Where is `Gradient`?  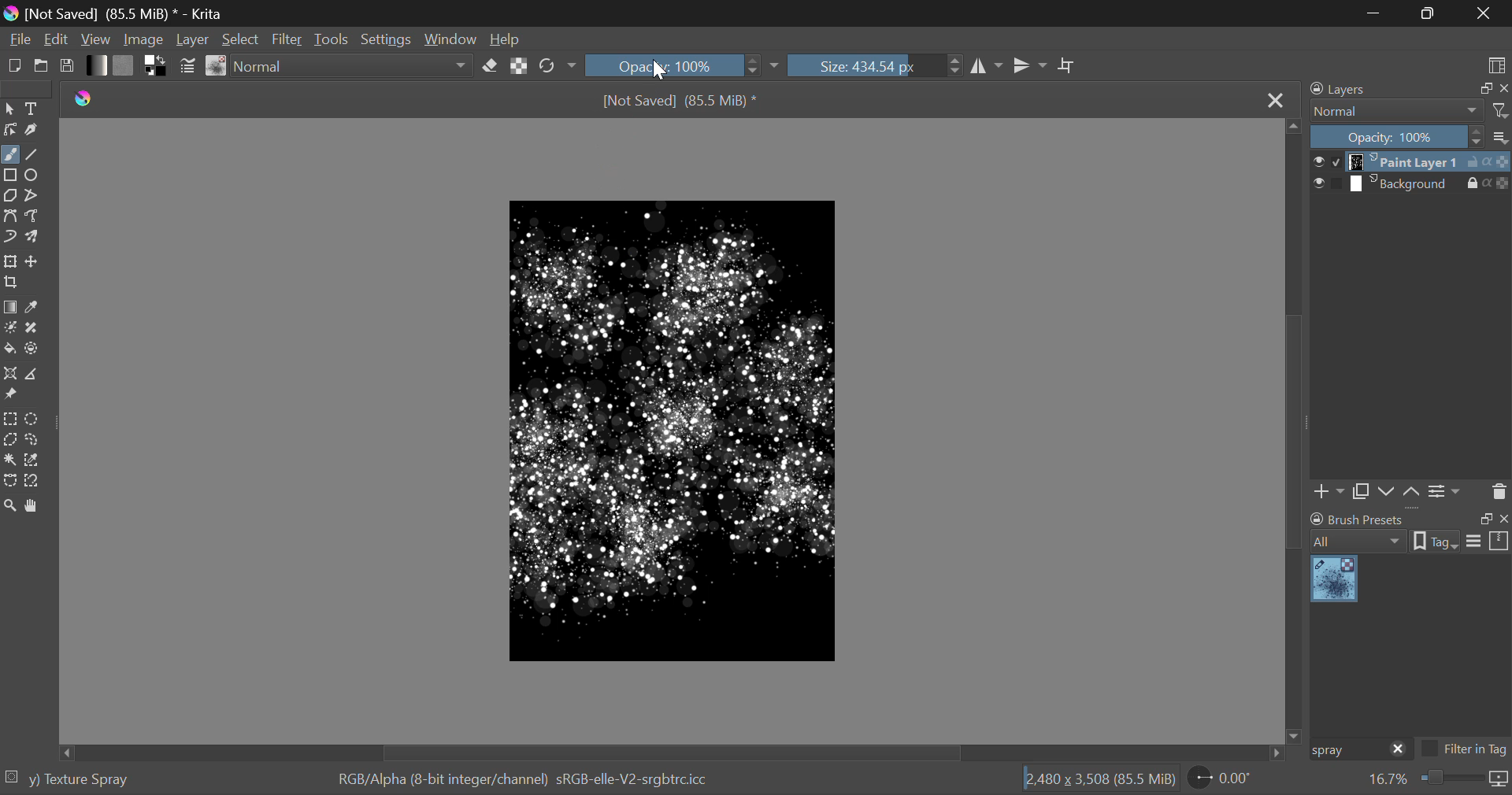
Gradient is located at coordinates (98, 65).